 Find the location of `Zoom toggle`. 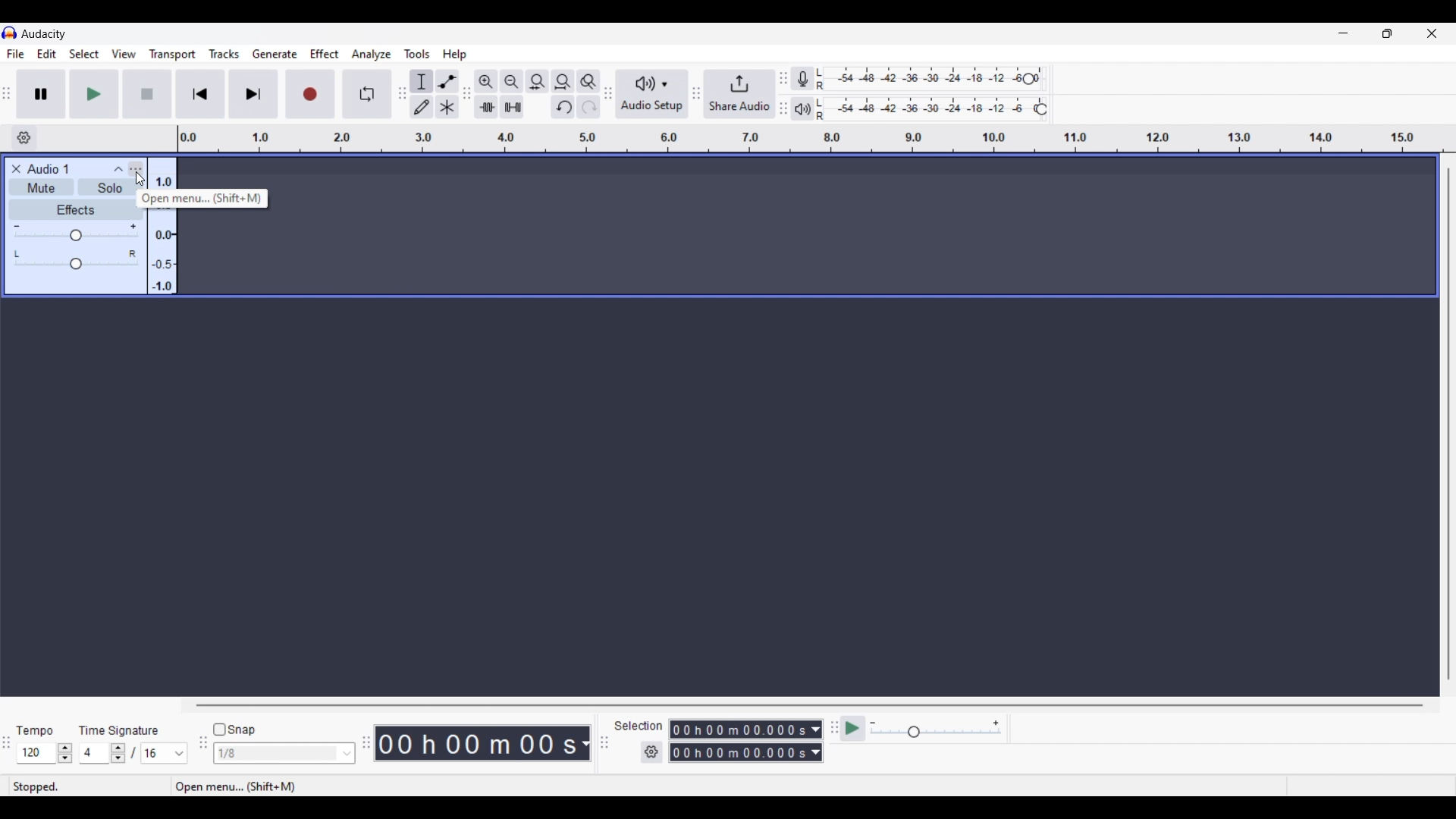

Zoom toggle is located at coordinates (588, 81).